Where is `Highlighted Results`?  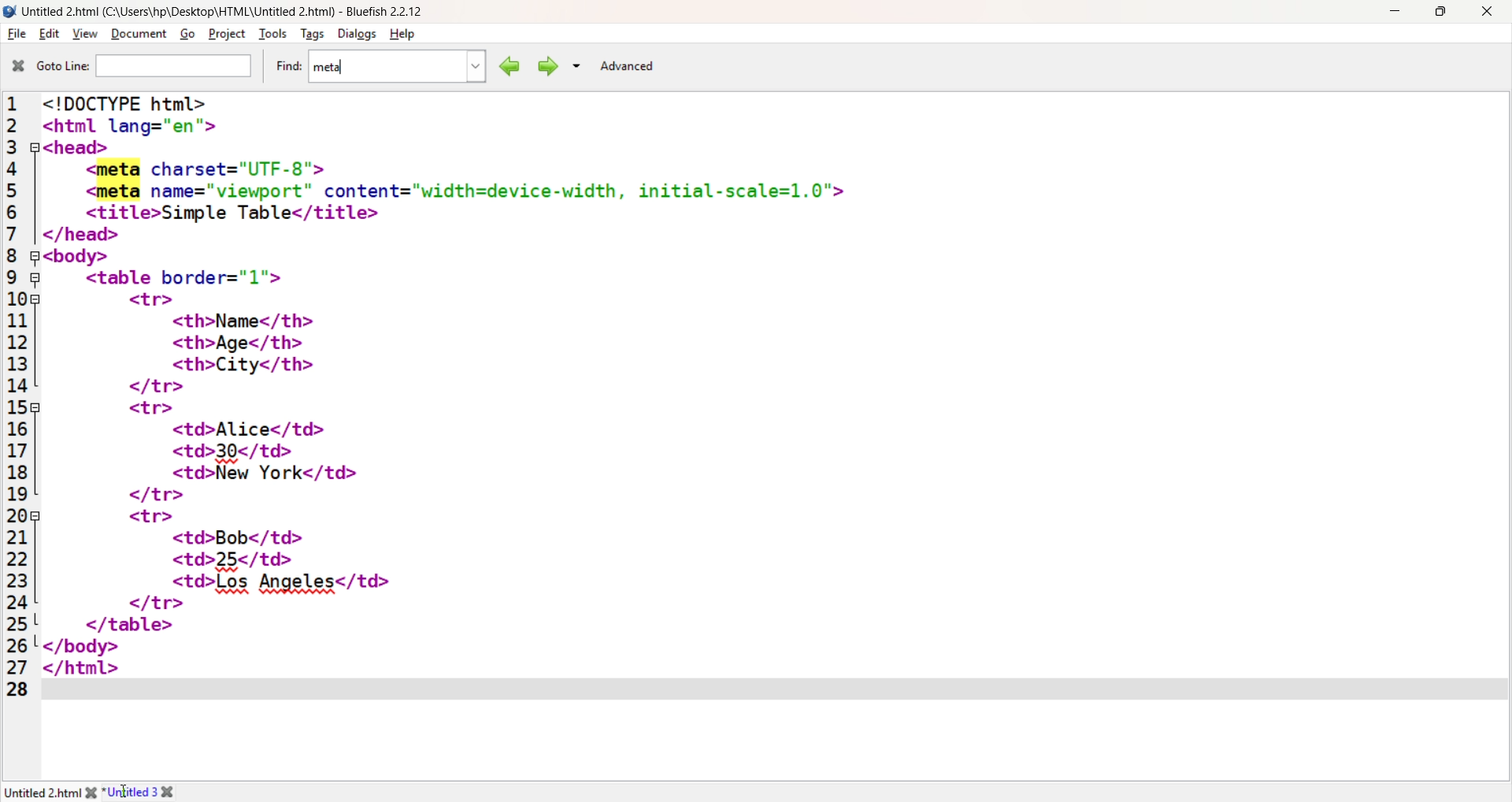 Highlighted Results is located at coordinates (119, 181).